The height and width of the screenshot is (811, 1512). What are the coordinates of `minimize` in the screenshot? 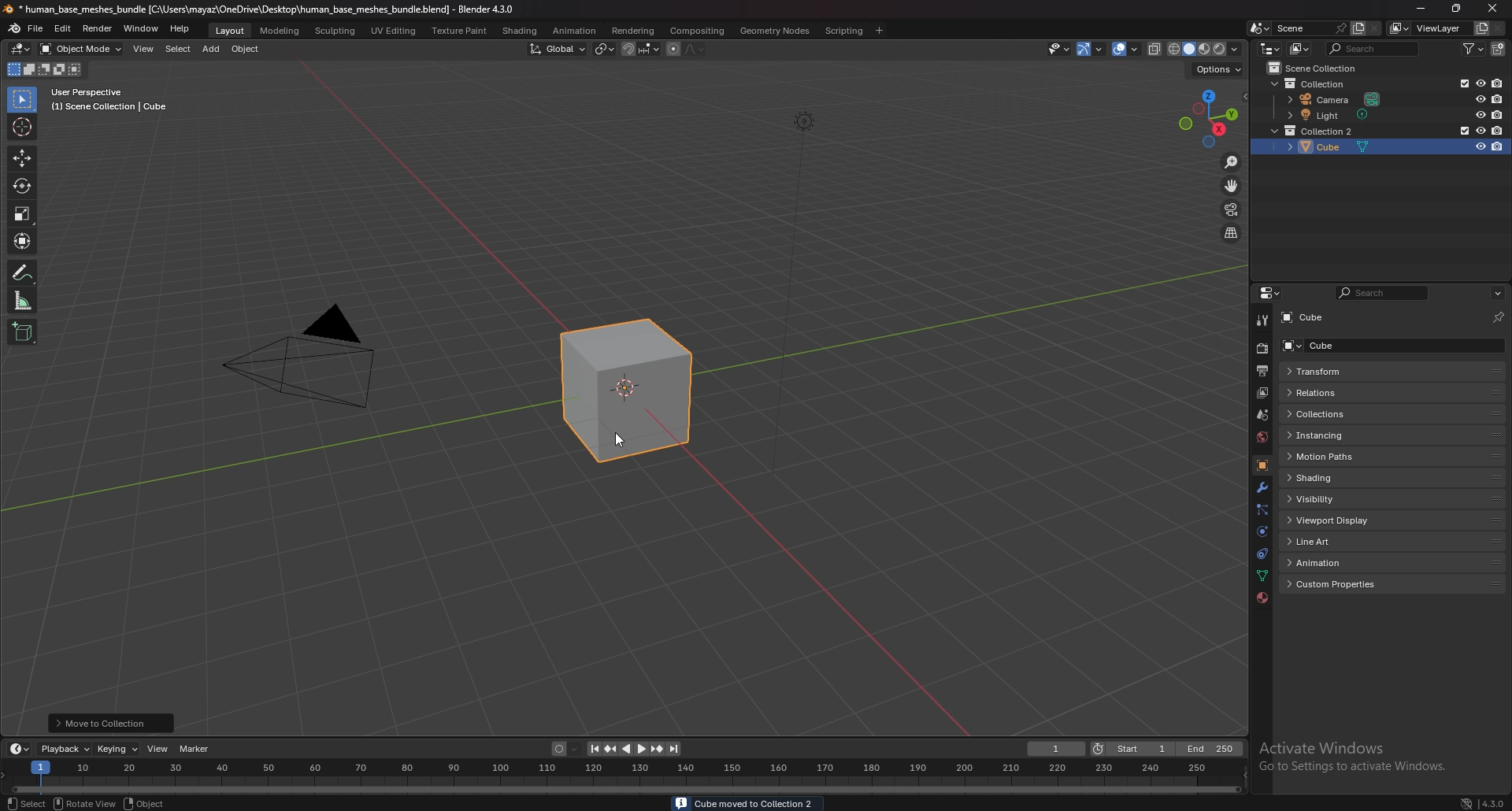 It's located at (1421, 7).